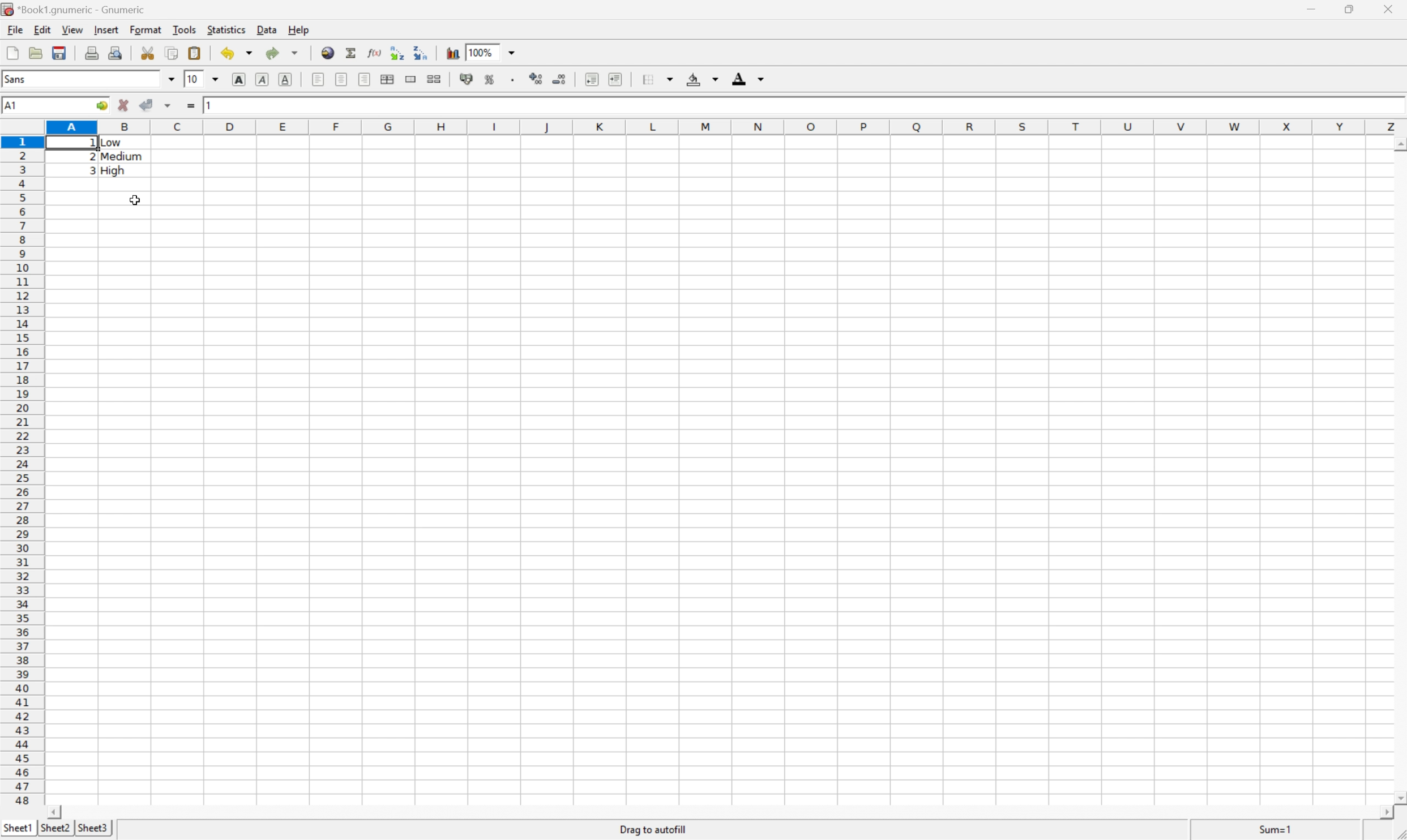 The height and width of the screenshot is (840, 1407). Describe the element at coordinates (57, 811) in the screenshot. I see `Scroll Left` at that location.